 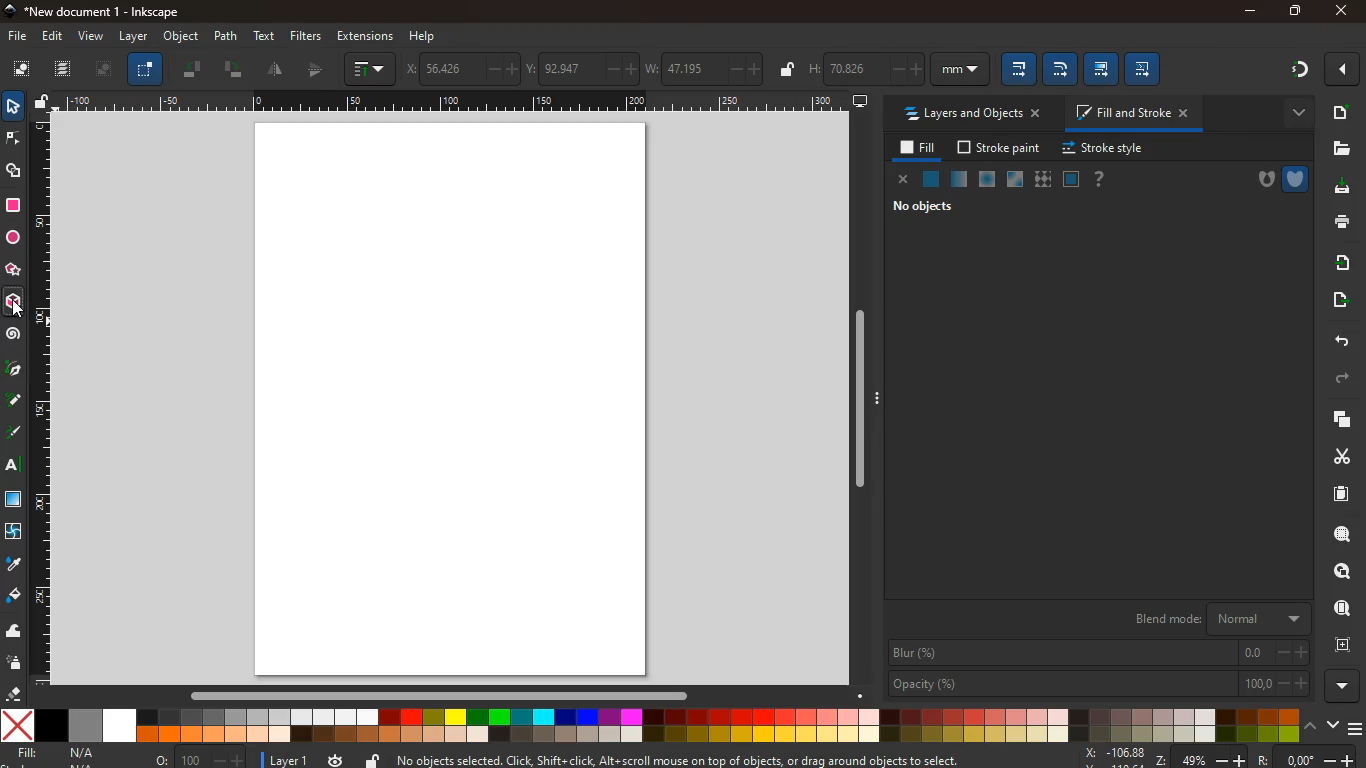 I want to click on Scrollbar, so click(x=859, y=395).